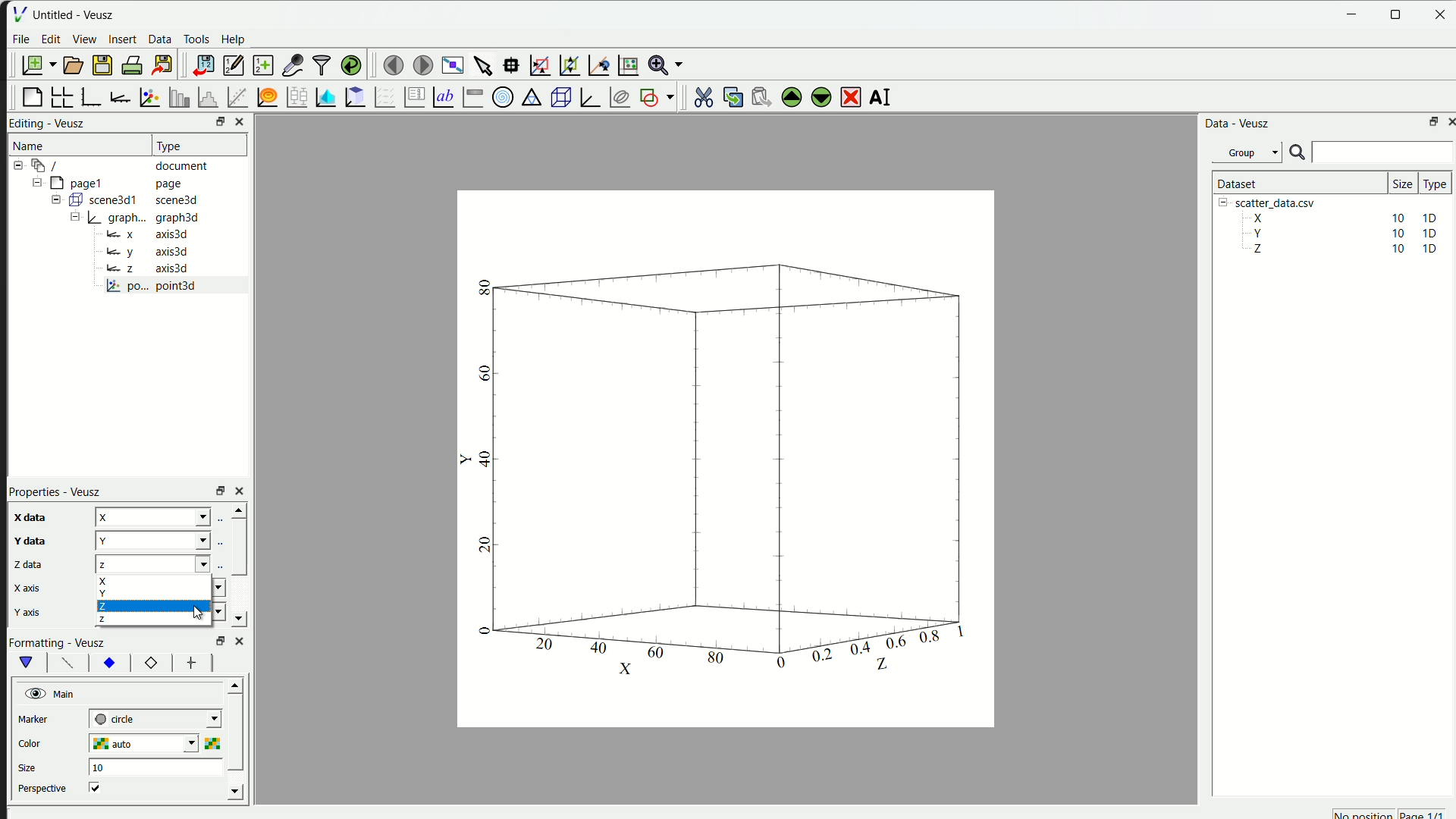 The image size is (1456, 819). What do you see at coordinates (265, 97) in the screenshot?
I see `plot function` at bounding box center [265, 97].